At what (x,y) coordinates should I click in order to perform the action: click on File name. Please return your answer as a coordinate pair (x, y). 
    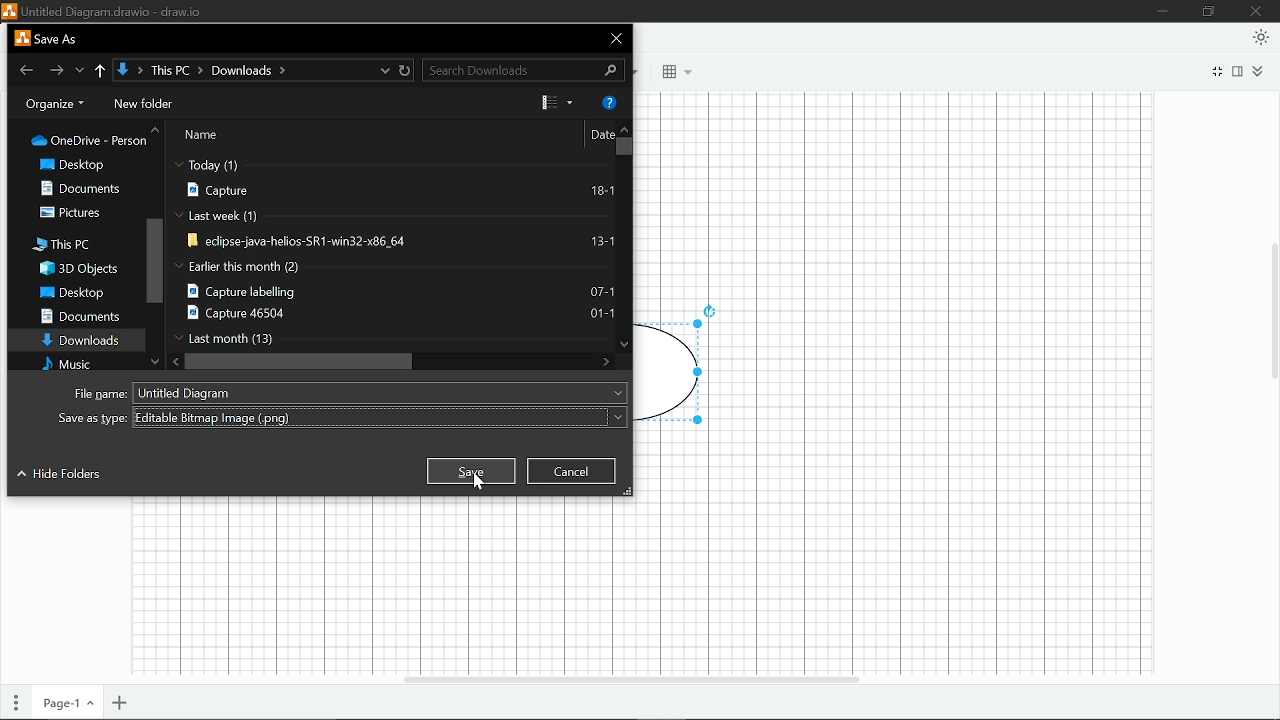
    Looking at the image, I should click on (101, 10).